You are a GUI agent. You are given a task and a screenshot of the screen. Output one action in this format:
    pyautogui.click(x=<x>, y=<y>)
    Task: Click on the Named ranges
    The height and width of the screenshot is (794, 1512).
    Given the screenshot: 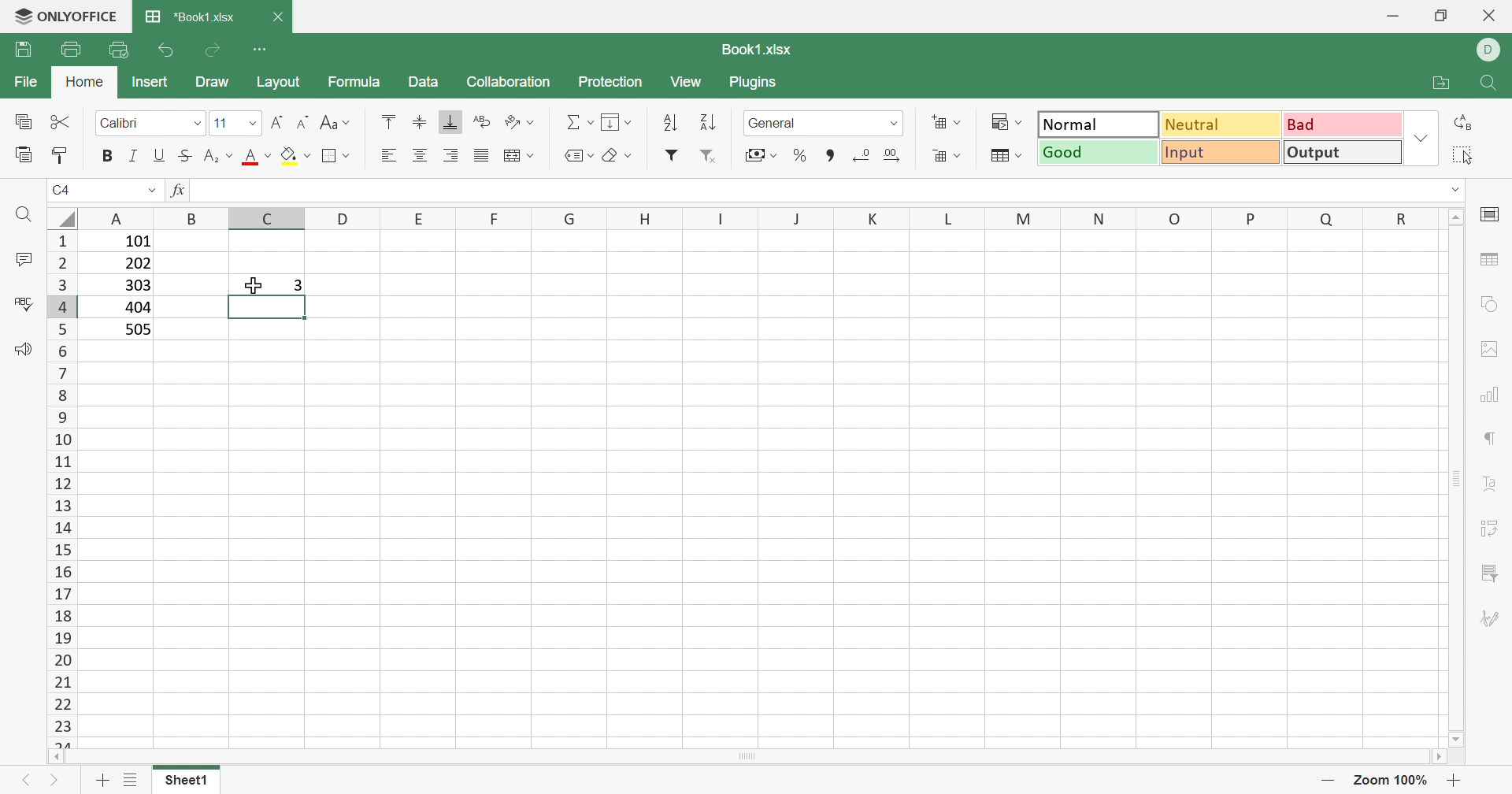 What is the action you would take?
    pyautogui.click(x=575, y=155)
    